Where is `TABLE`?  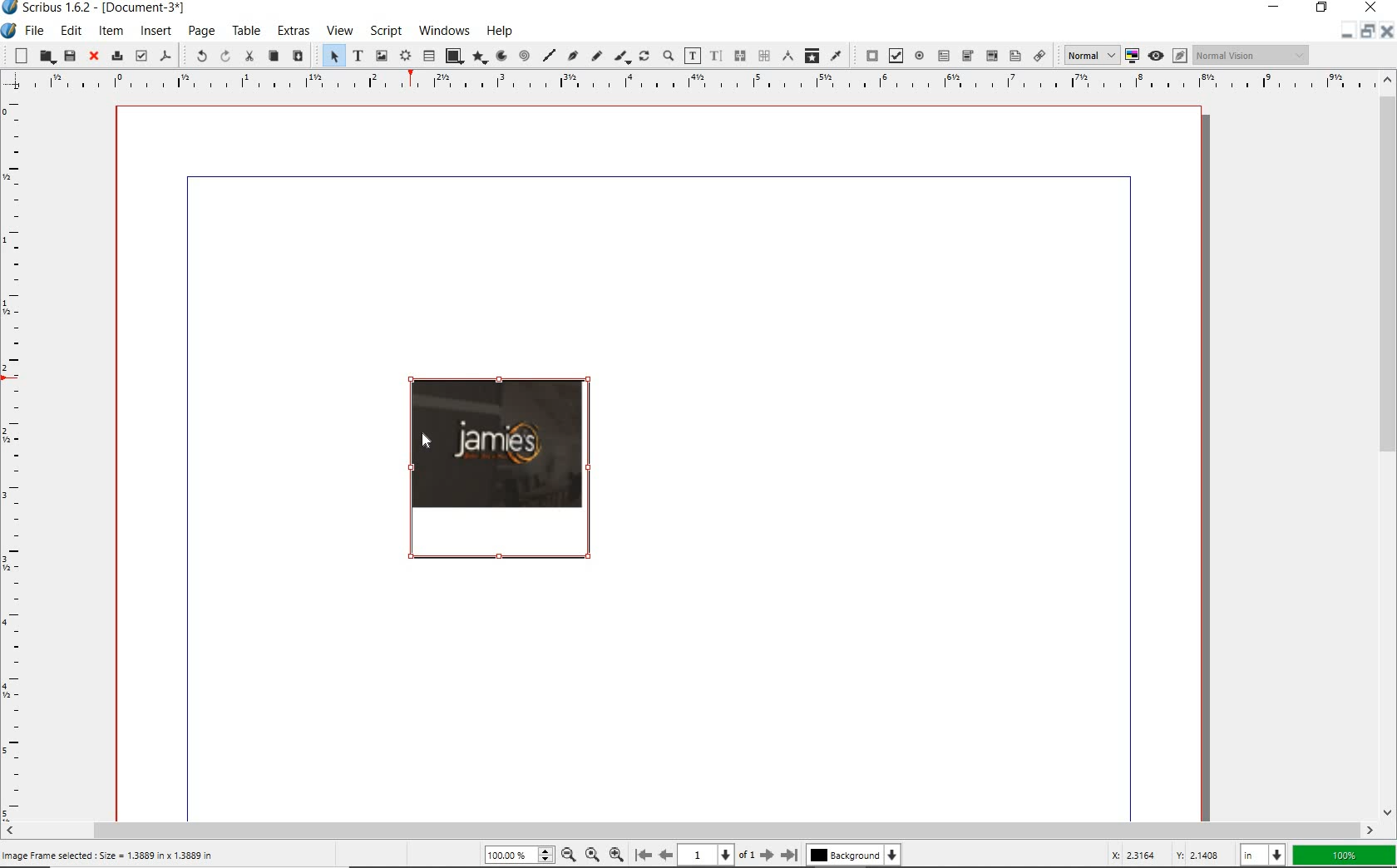 TABLE is located at coordinates (247, 30).